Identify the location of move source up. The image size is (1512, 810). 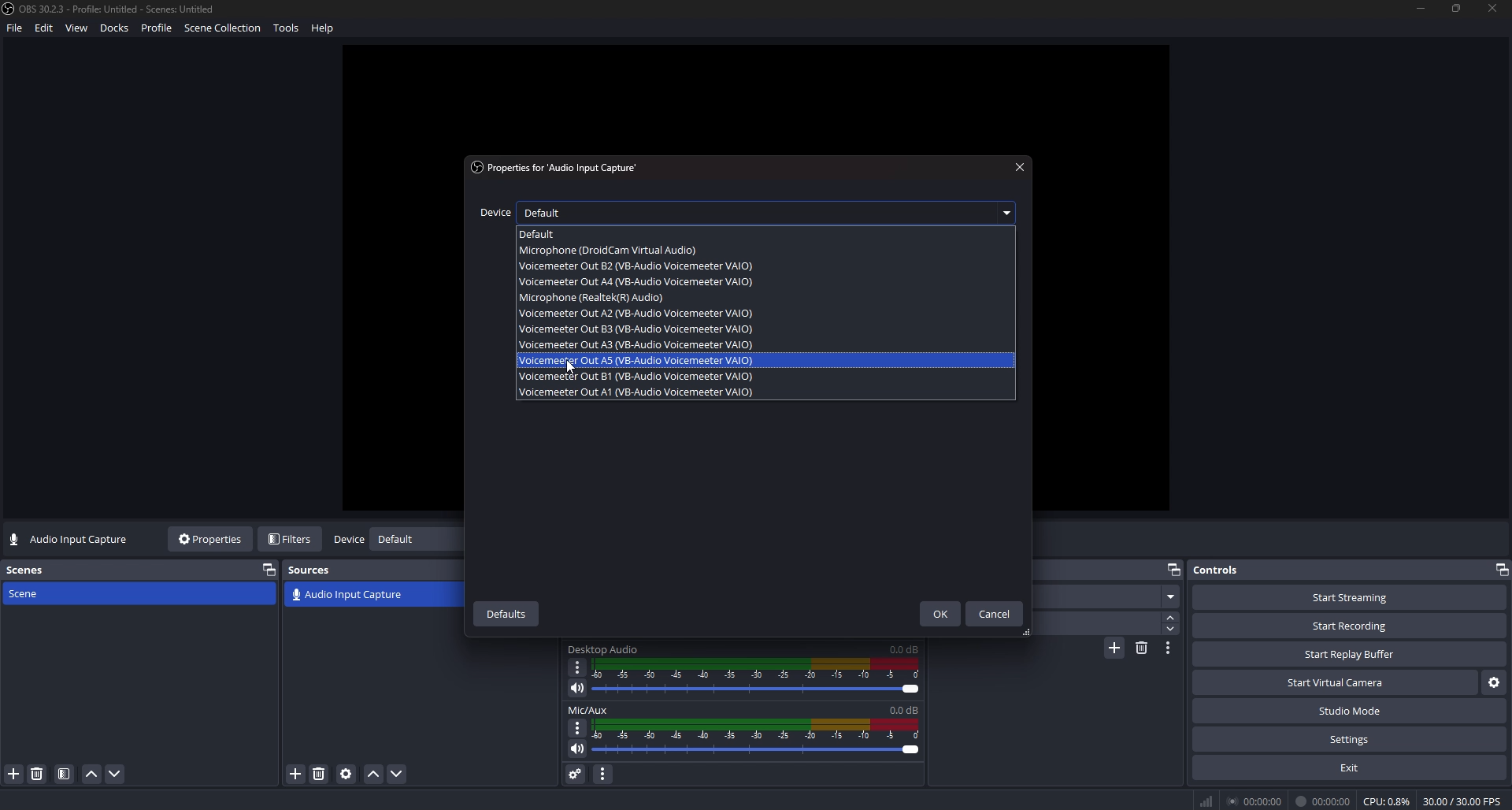
(374, 775).